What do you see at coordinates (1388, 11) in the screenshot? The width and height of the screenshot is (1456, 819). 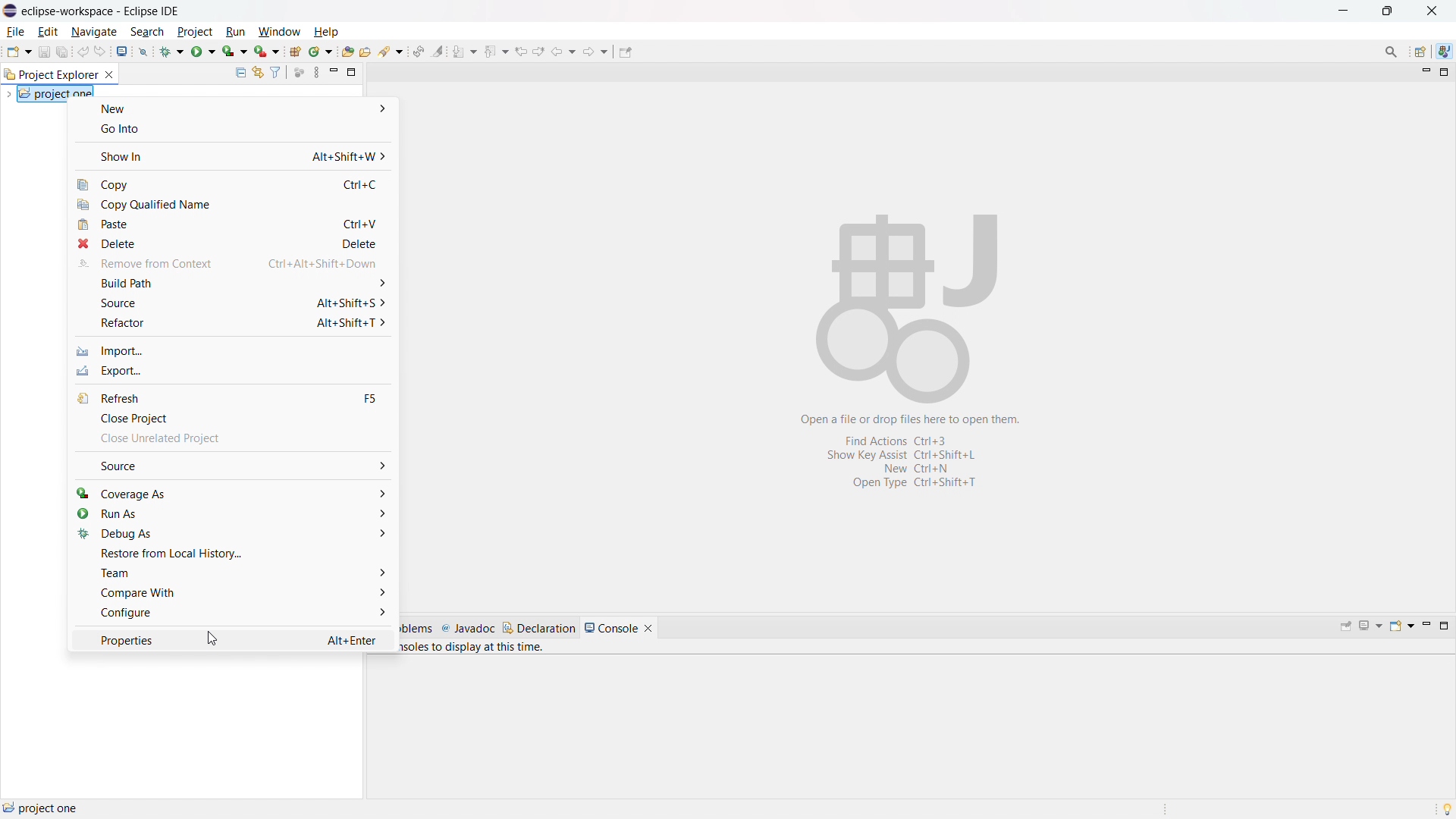 I see `minimize` at bounding box center [1388, 11].